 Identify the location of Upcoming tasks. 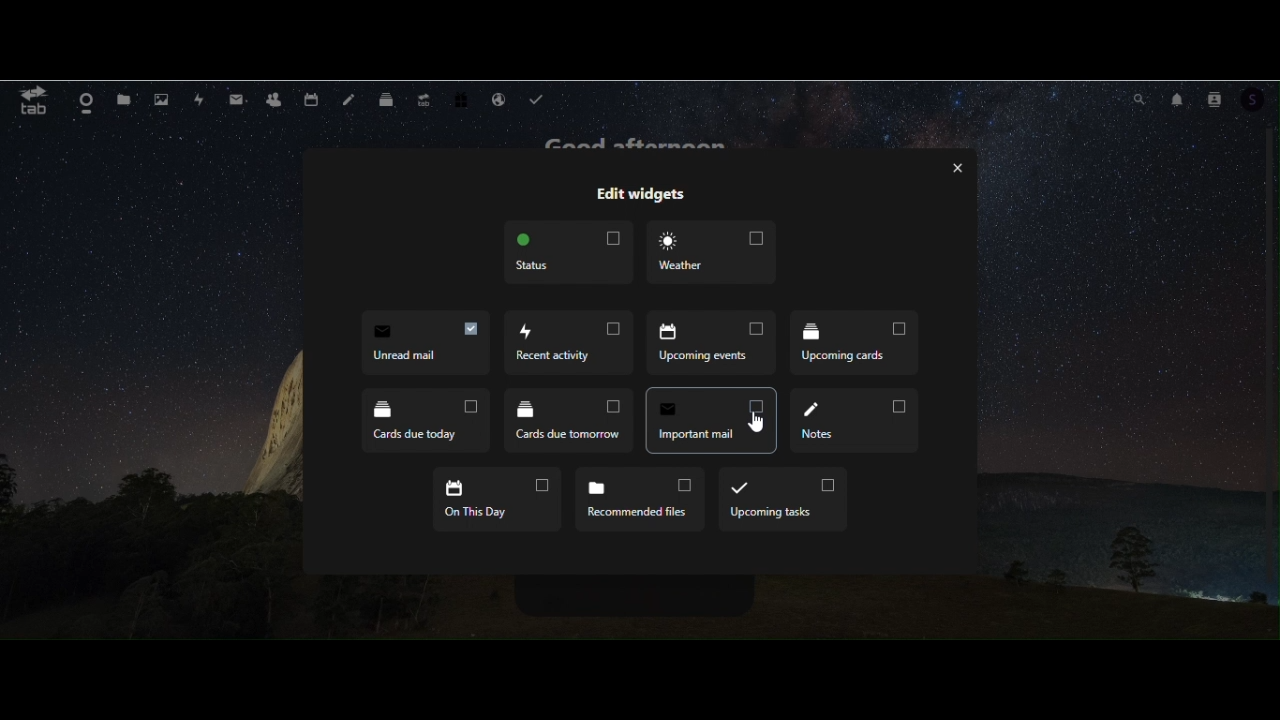
(780, 499).